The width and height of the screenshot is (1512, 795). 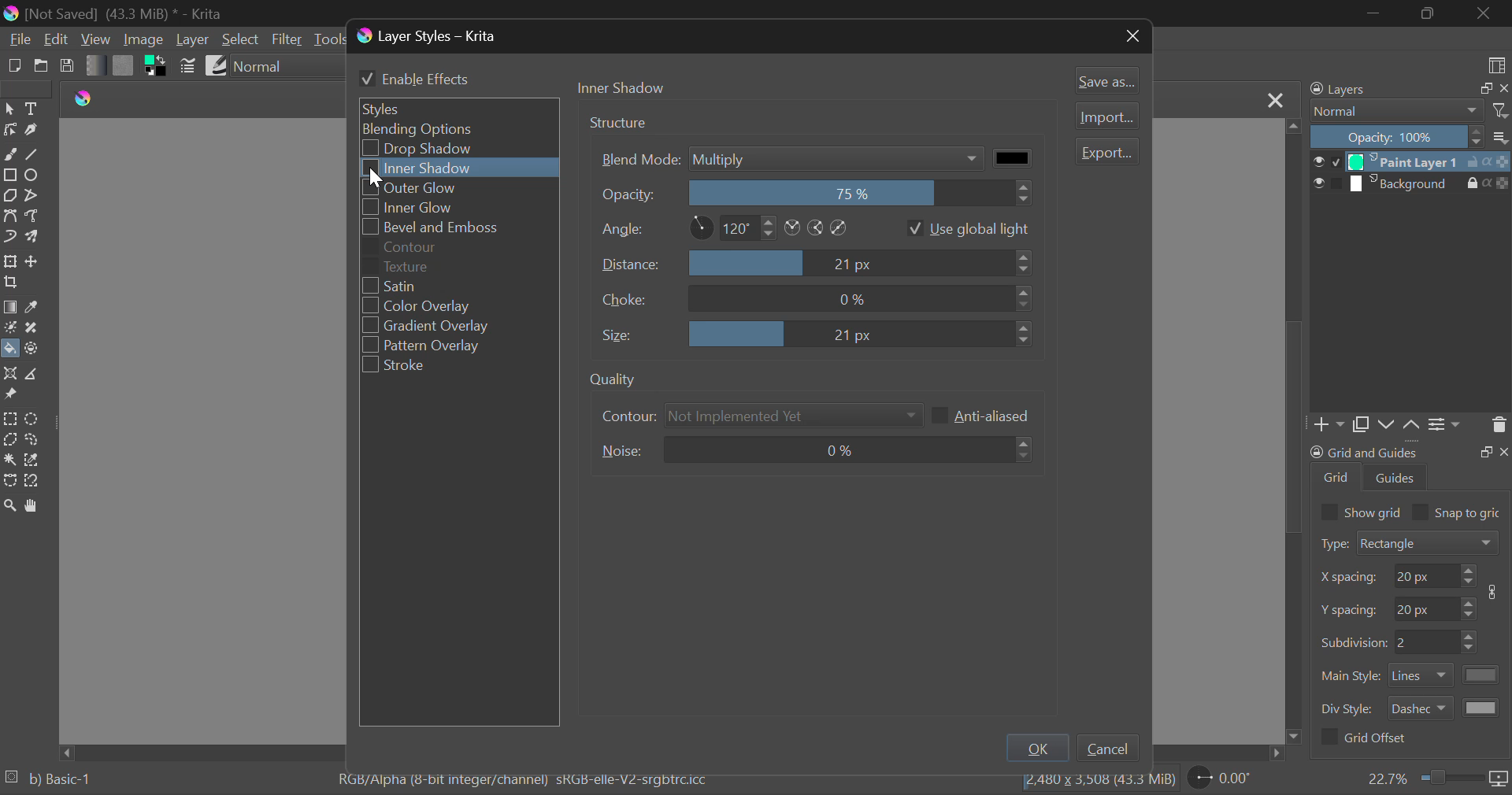 I want to click on Outer Glow, so click(x=454, y=189).